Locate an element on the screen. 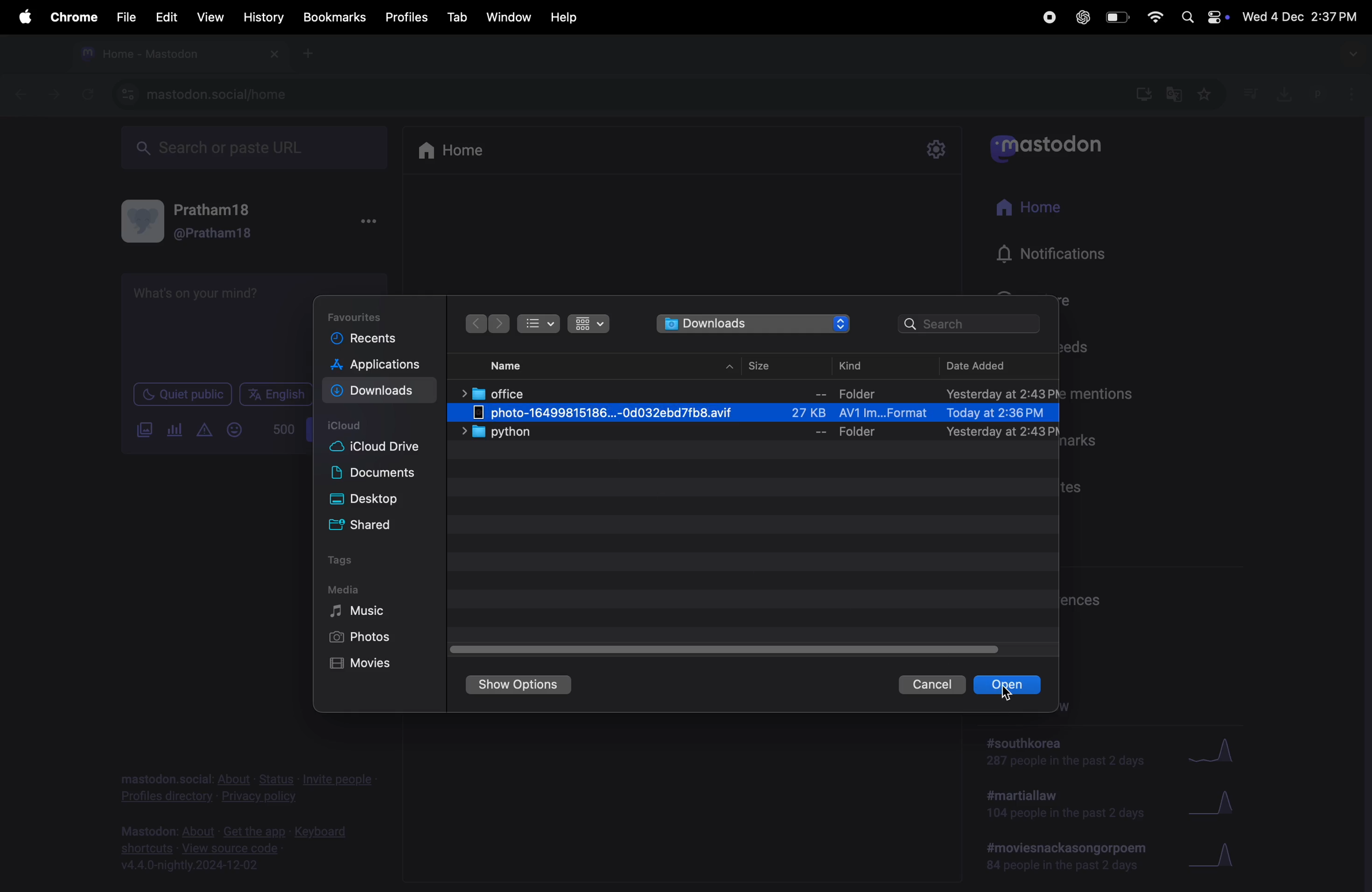 The width and height of the screenshot is (1372, 892). image is located at coordinates (145, 430).